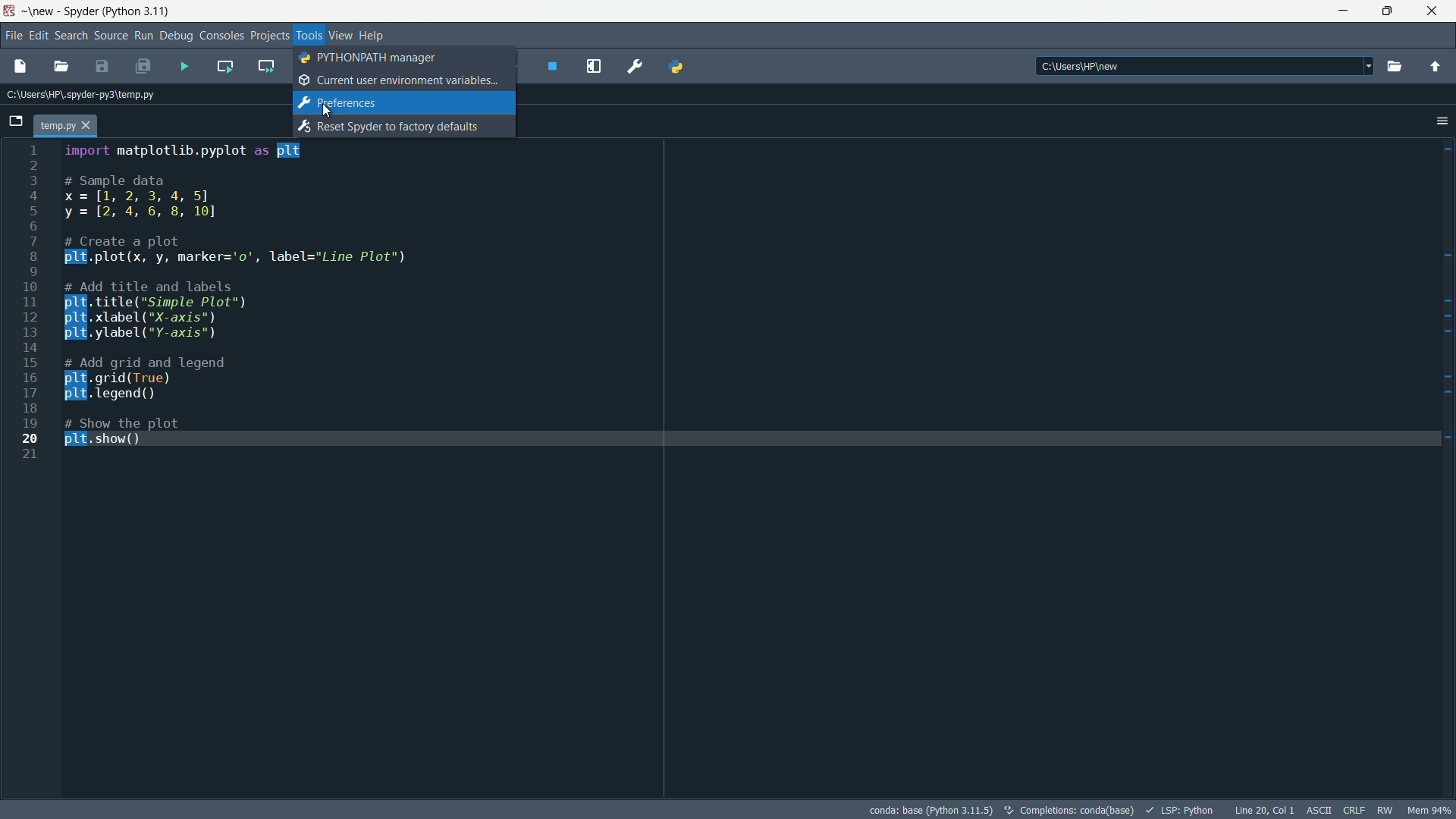 Image resolution: width=1456 pixels, height=819 pixels. I want to click on python path manager, so click(674, 67).